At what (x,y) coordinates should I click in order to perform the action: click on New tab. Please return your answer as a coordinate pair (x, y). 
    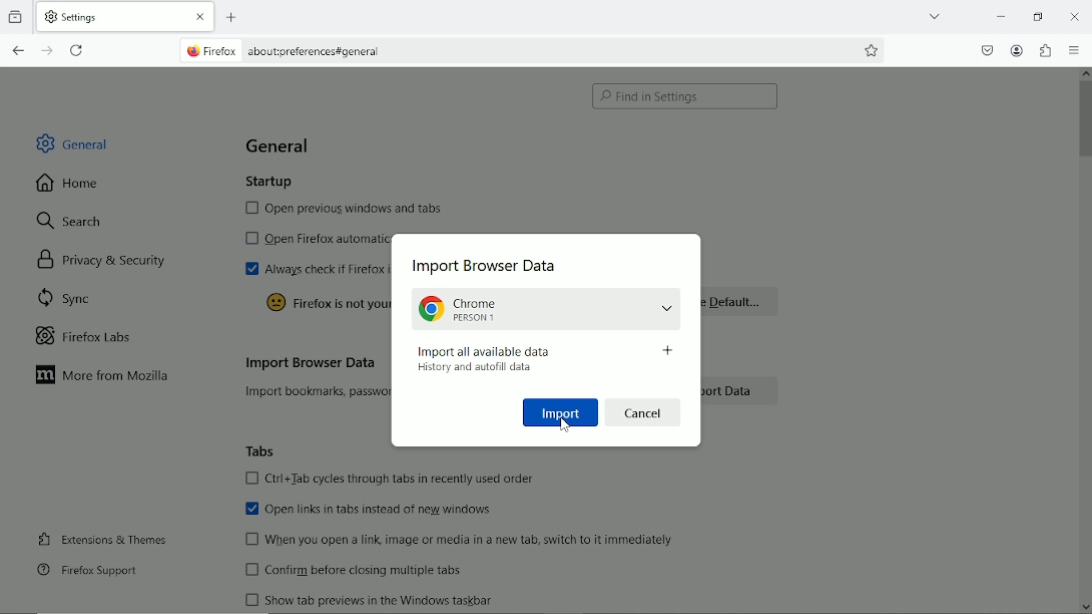
    Looking at the image, I should click on (232, 18).